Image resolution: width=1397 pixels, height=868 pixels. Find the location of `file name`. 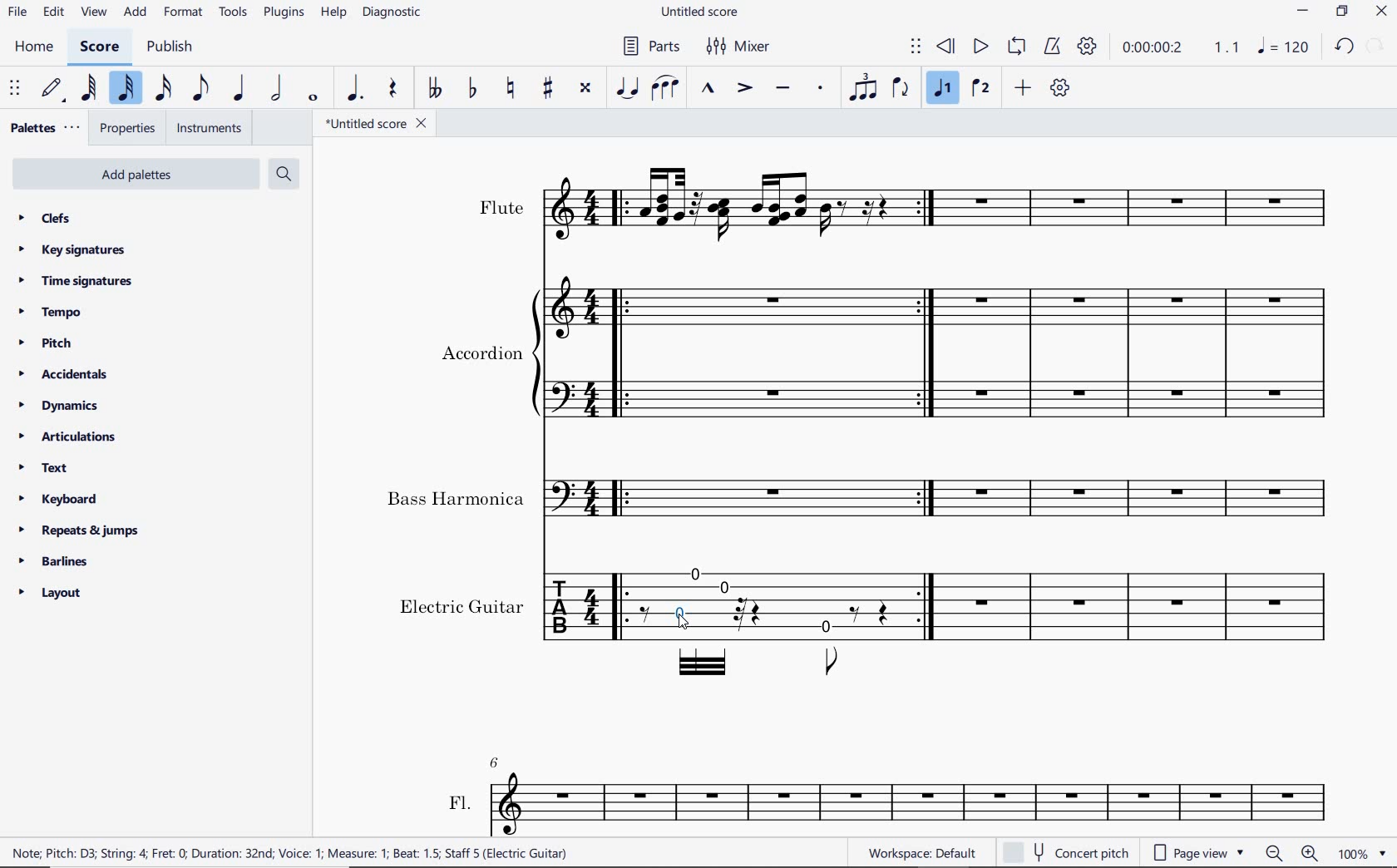

file name is located at coordinates (378, 125).